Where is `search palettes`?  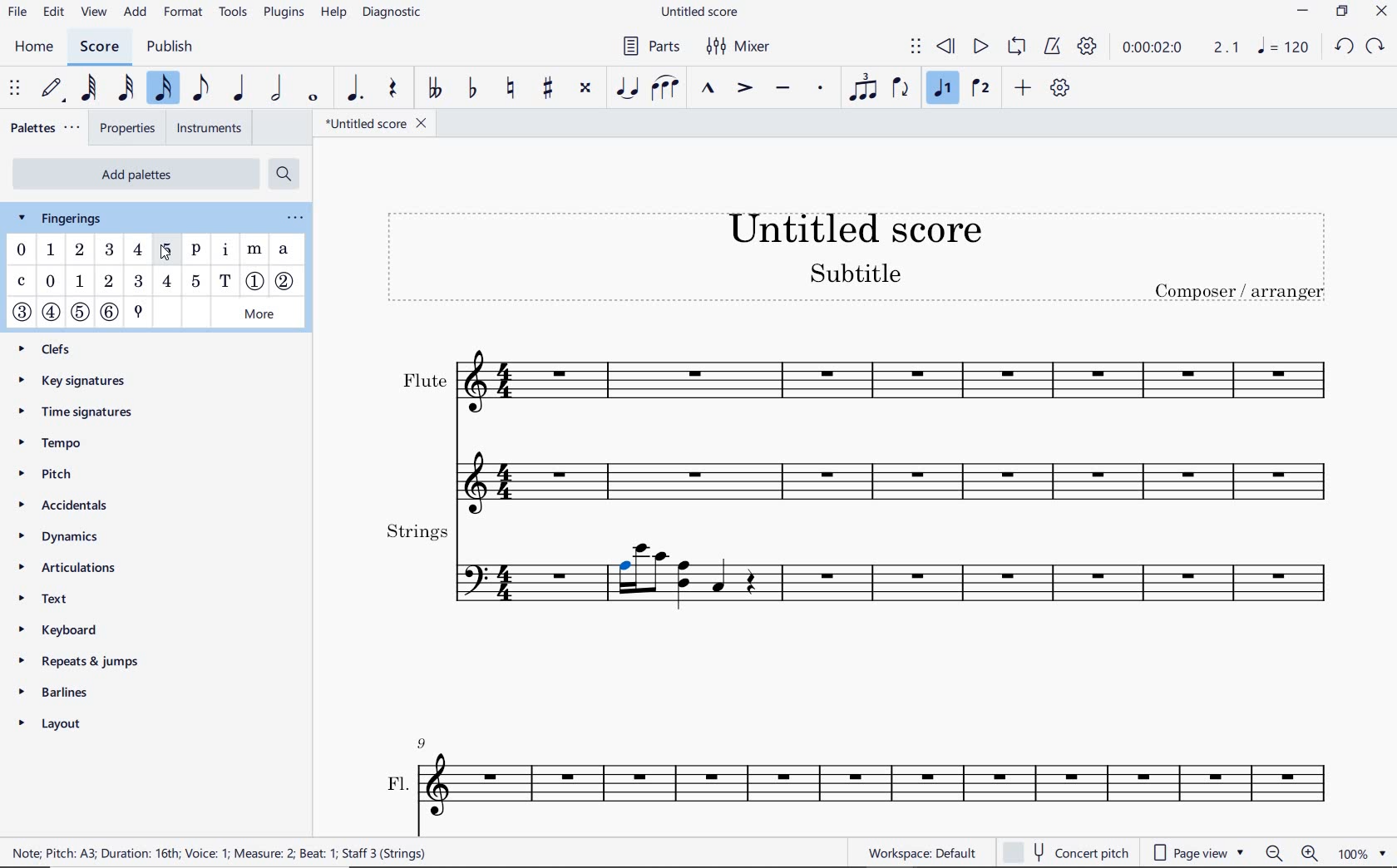
search palettes is located at coordinates (285, 176).